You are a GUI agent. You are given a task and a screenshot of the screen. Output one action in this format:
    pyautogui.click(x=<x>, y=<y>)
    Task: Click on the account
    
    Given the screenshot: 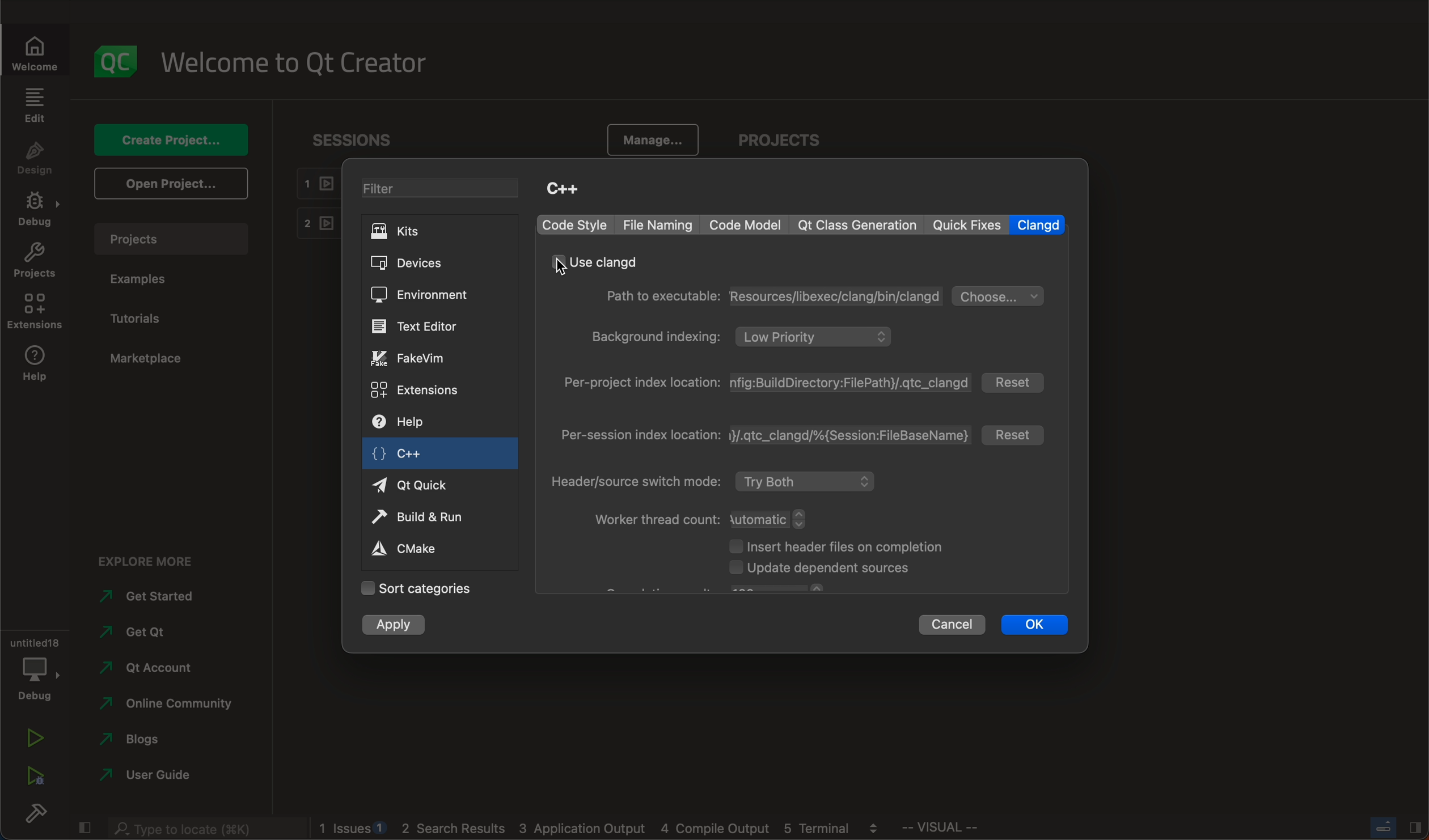 What is the action you would take?
    pyautogui.click(x=153, y=667)
    